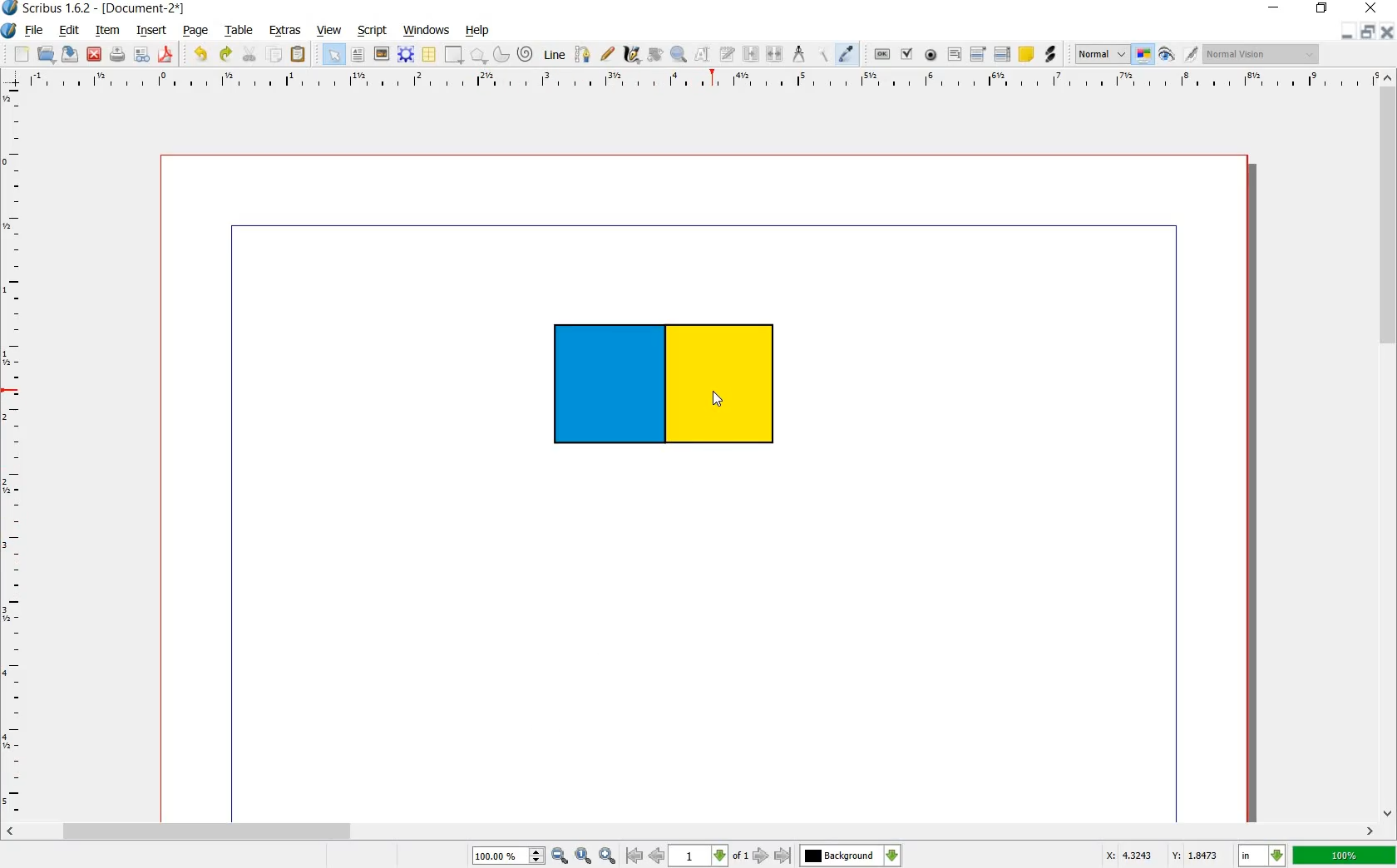 The image size is (1397, 868). Describe the element at coordinates (1028, 55) in the screenshot. I see `text annotation` at that location.